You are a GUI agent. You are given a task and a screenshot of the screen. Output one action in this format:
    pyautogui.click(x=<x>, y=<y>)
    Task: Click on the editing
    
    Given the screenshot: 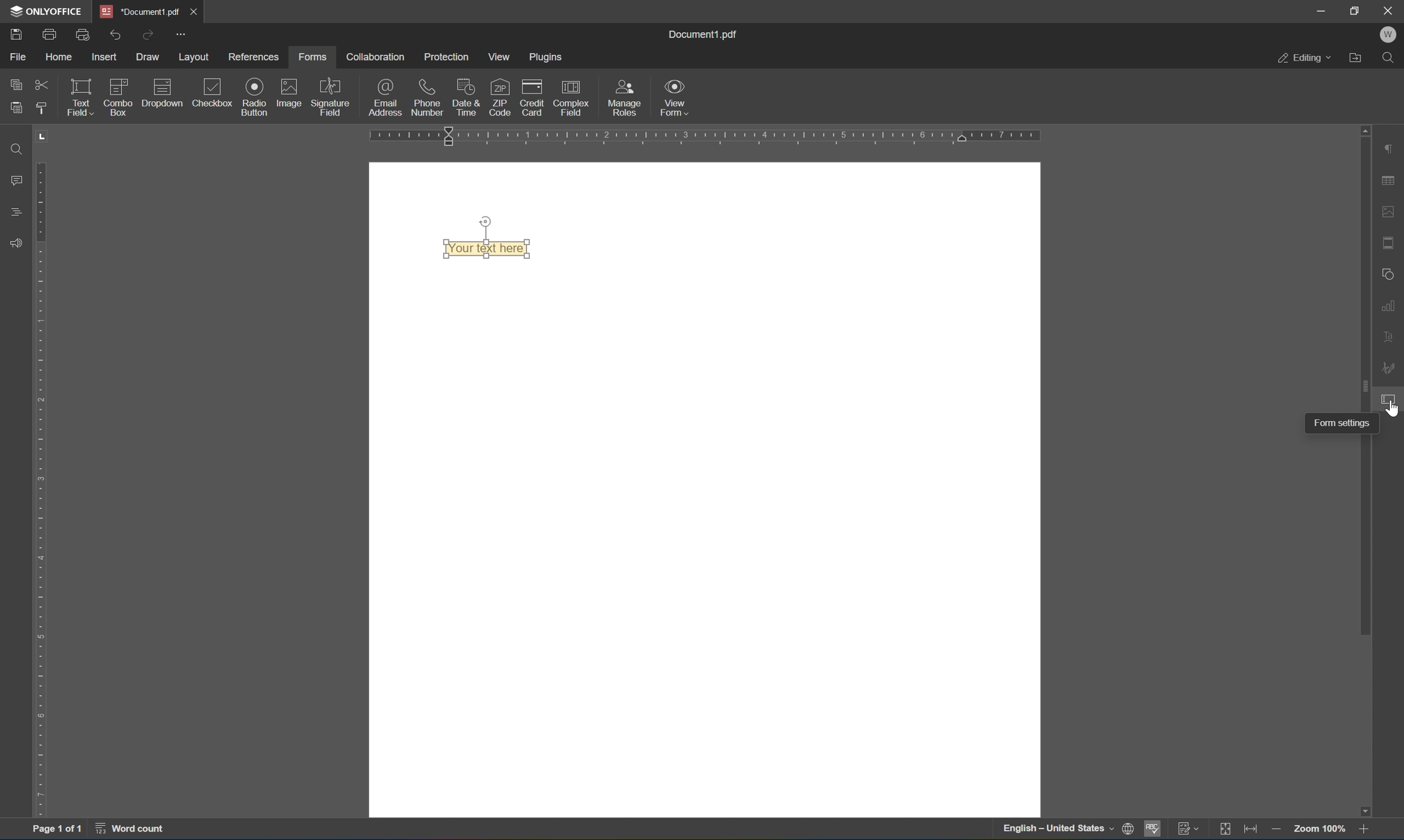 What is the action you would take?
    pyautogui.click(x=1307, y=58)
    